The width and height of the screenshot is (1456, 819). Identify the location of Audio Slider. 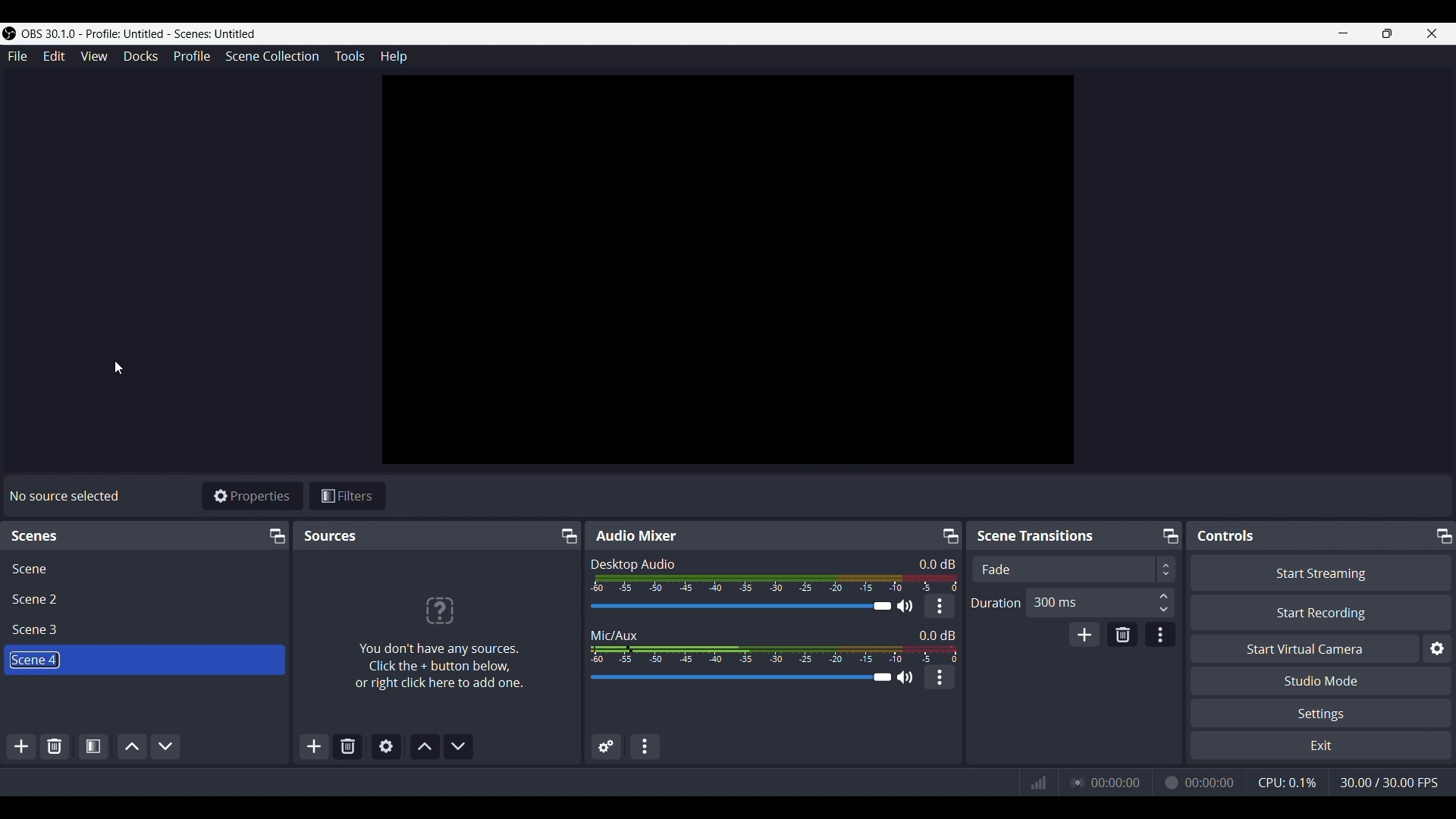
(737, 606).